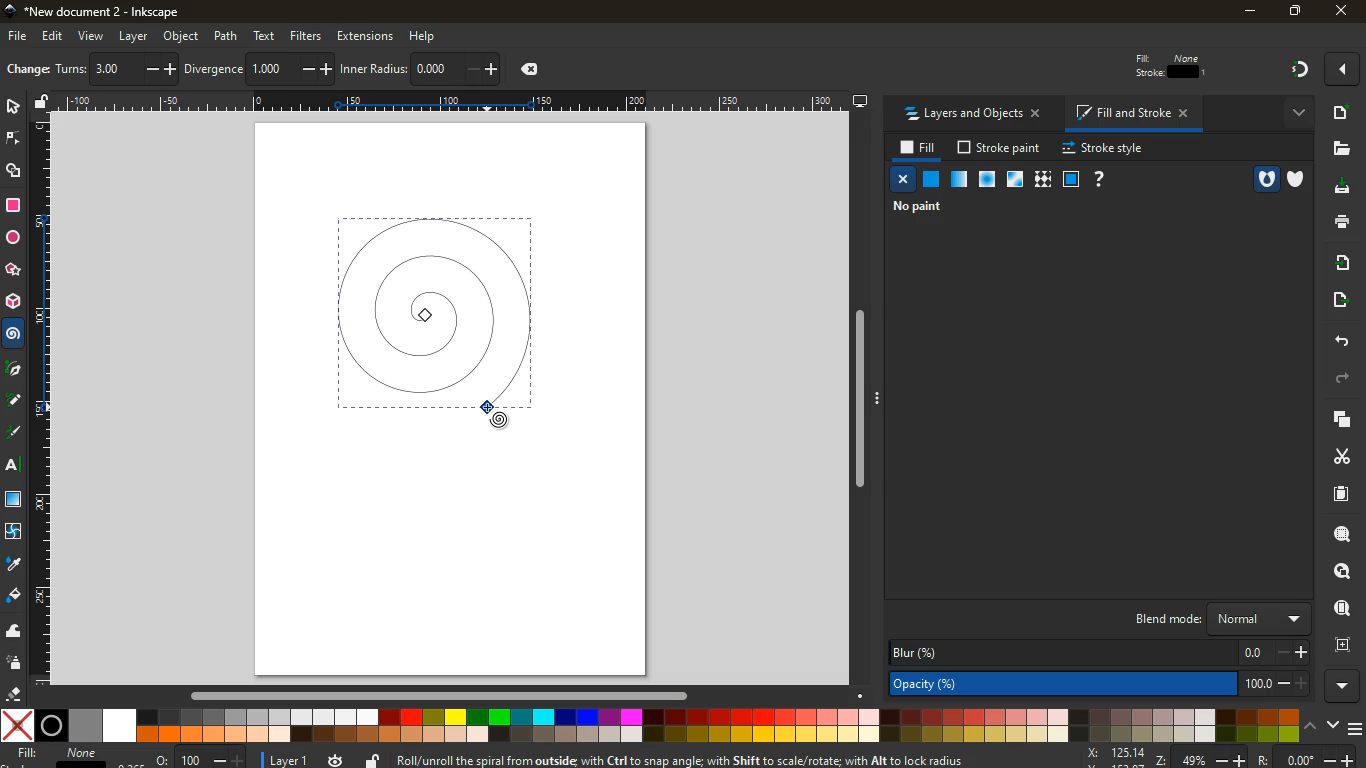 The image size is (1366, 768). Describe the element at coordinates (1347, 379) in the screenshot. I see `forward` at that location.